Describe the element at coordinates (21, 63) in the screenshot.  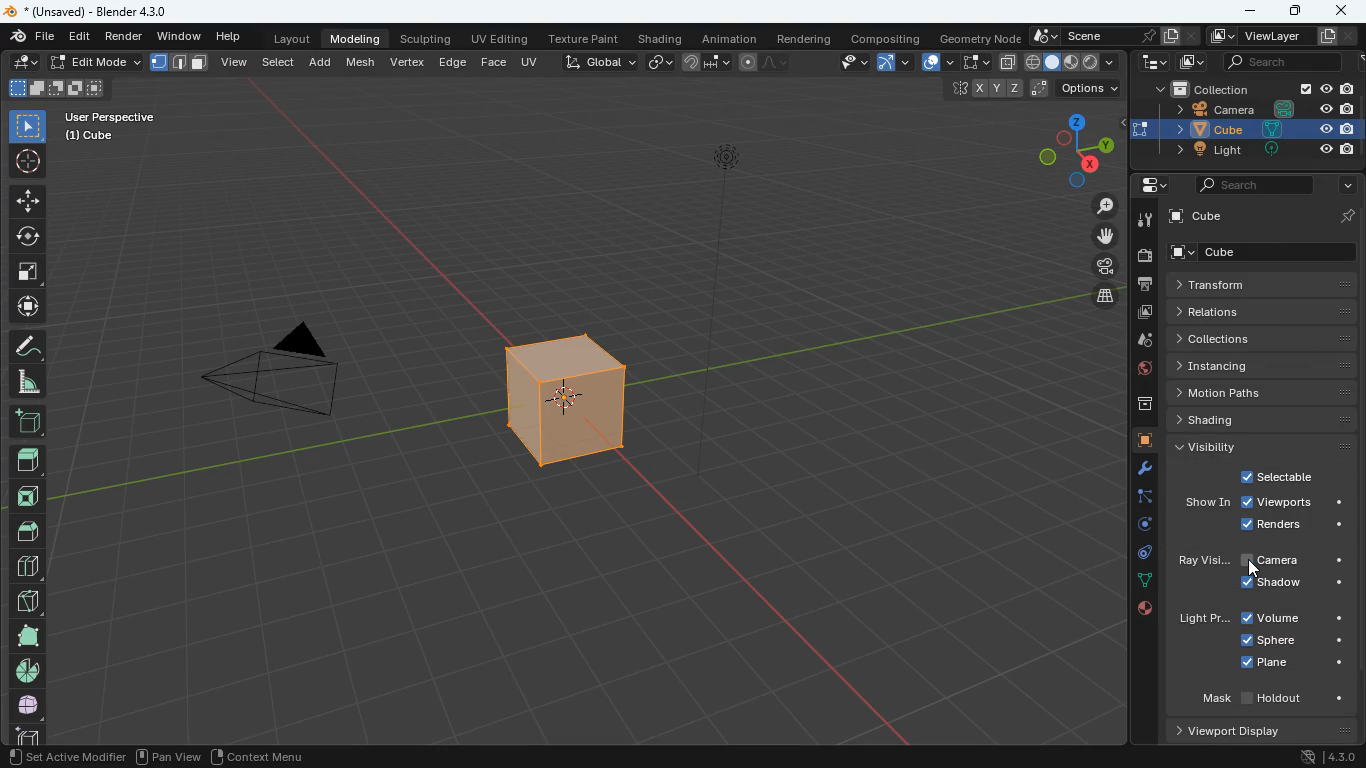
I see `edit` at that location.